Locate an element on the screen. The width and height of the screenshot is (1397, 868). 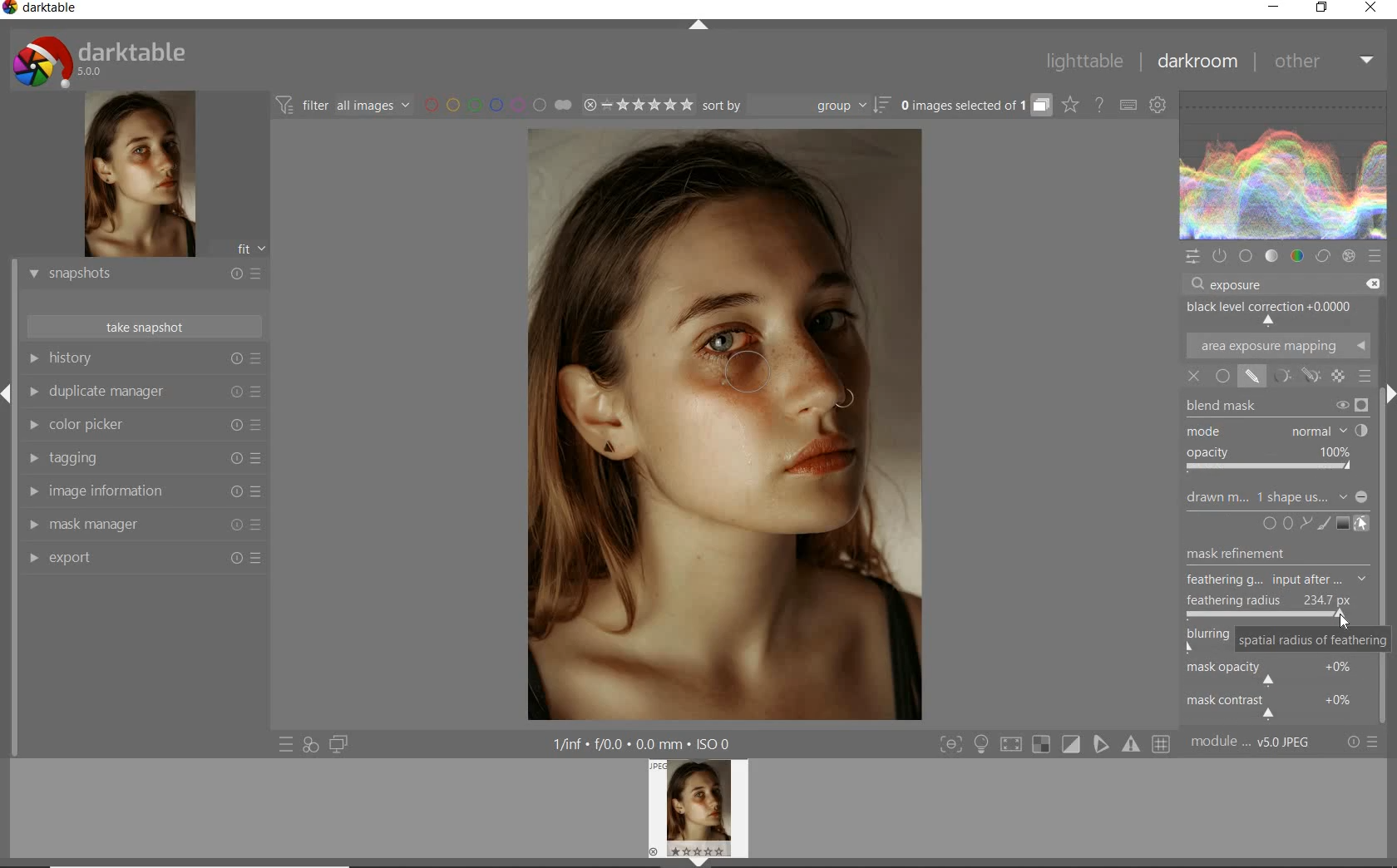
snapshots is located at coordinates (142, 274).